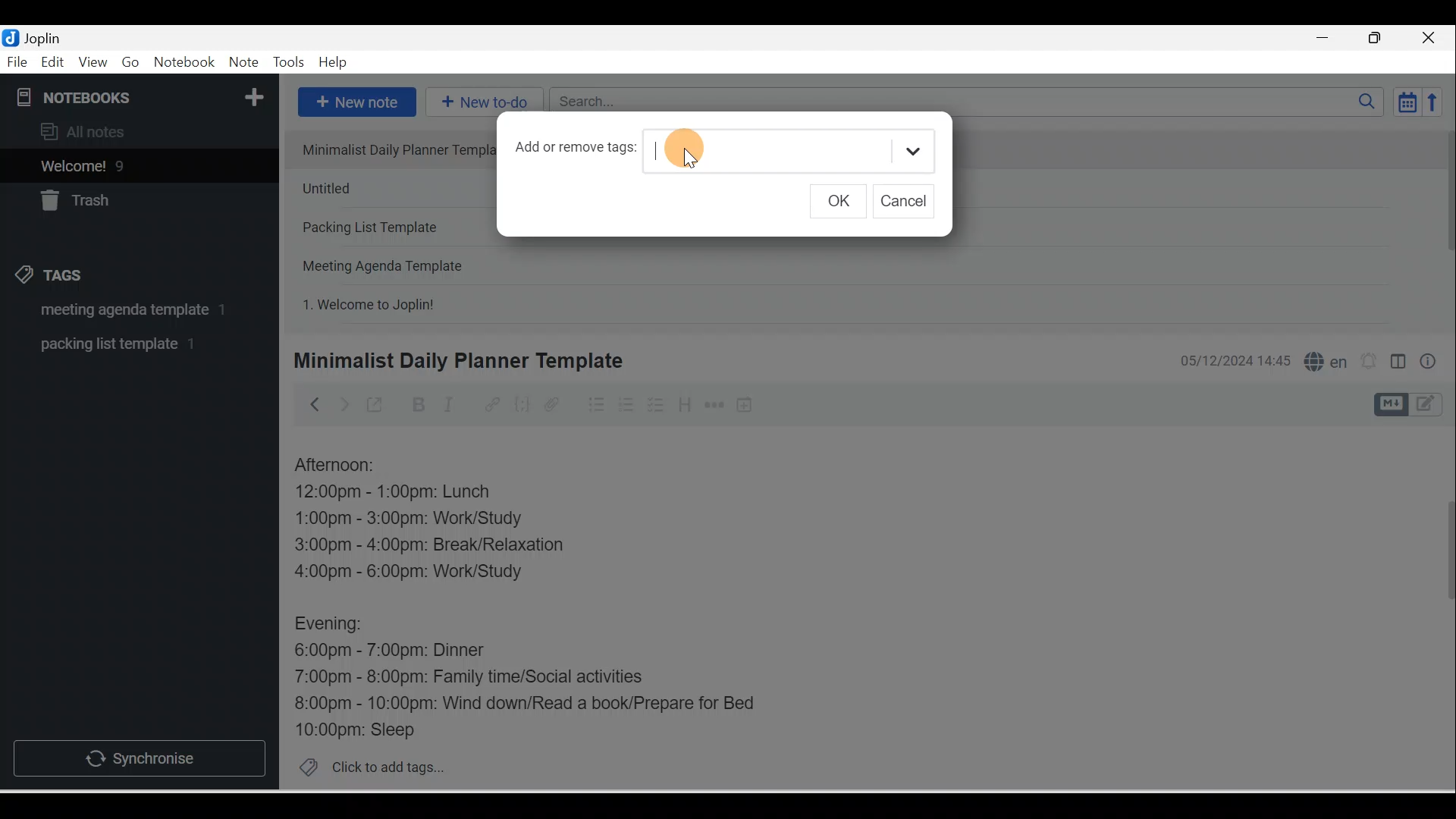  What do you see at coordinates (388, 149) in the screenshot?
I see `Note 1` at bounding box center [388, 149].